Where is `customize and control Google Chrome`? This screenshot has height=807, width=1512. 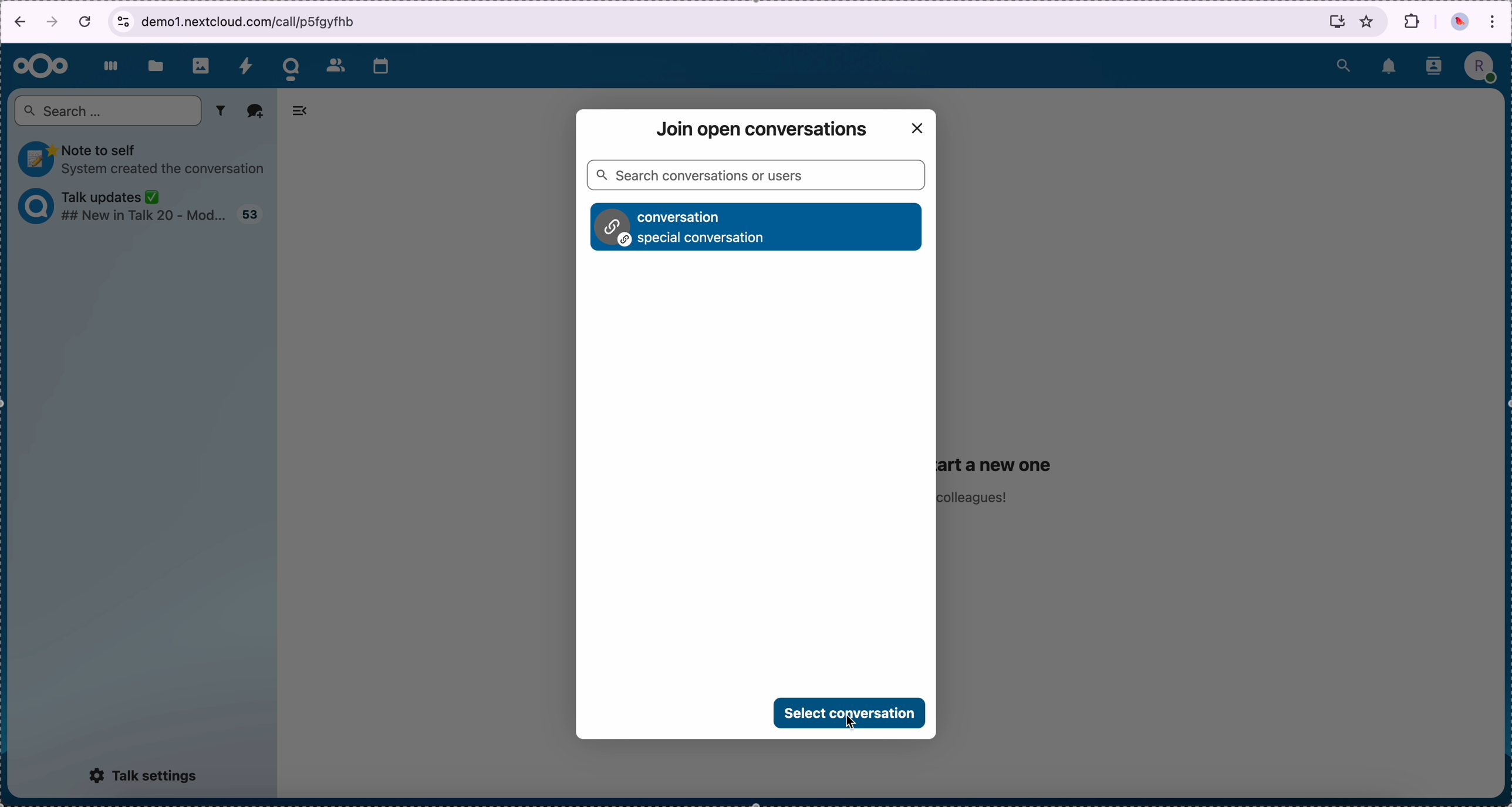 customize and control Google Chrome is located at coordinates (1493, 25).